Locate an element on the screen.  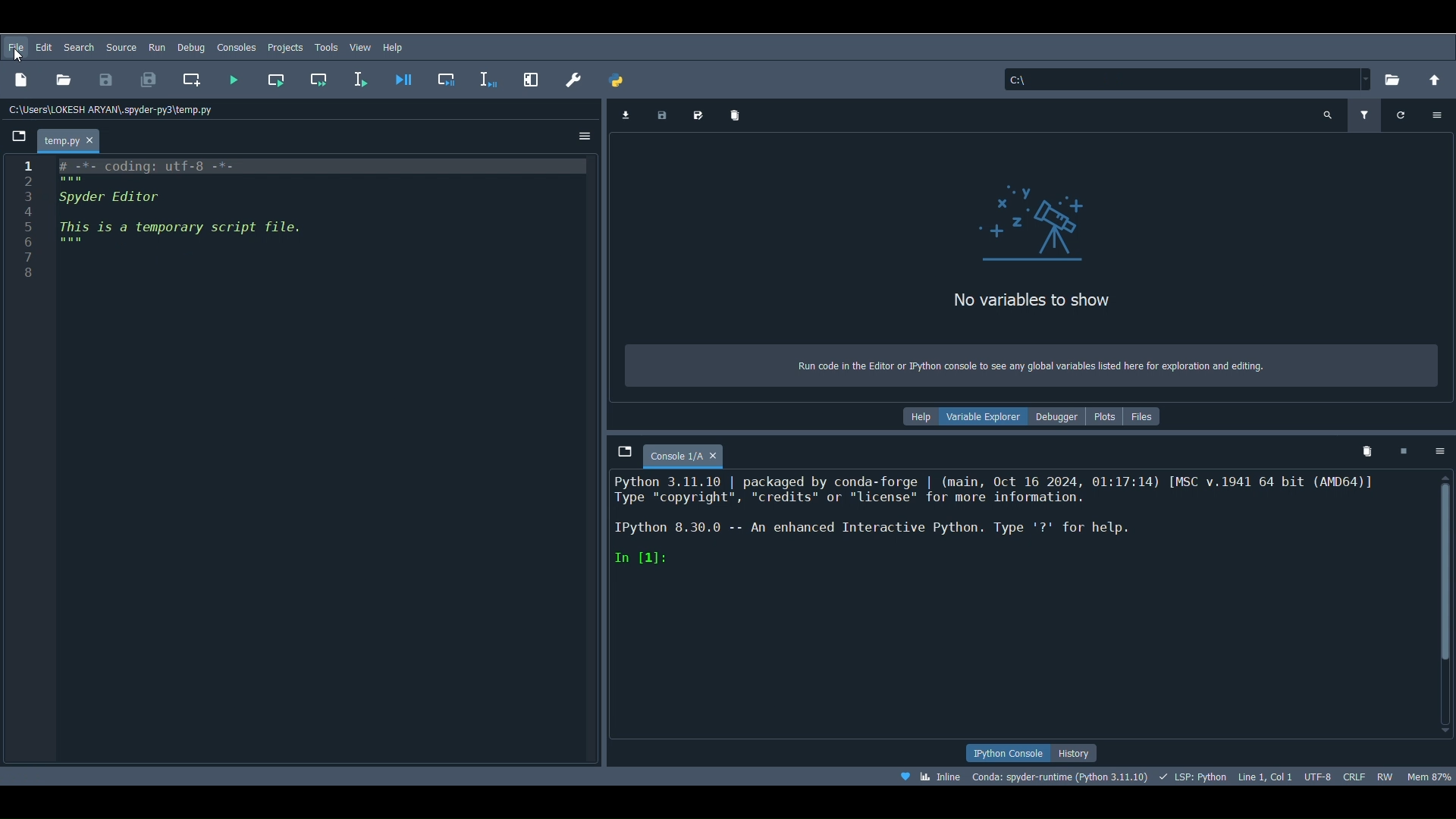
Options is located at coordinates (1441, 115).